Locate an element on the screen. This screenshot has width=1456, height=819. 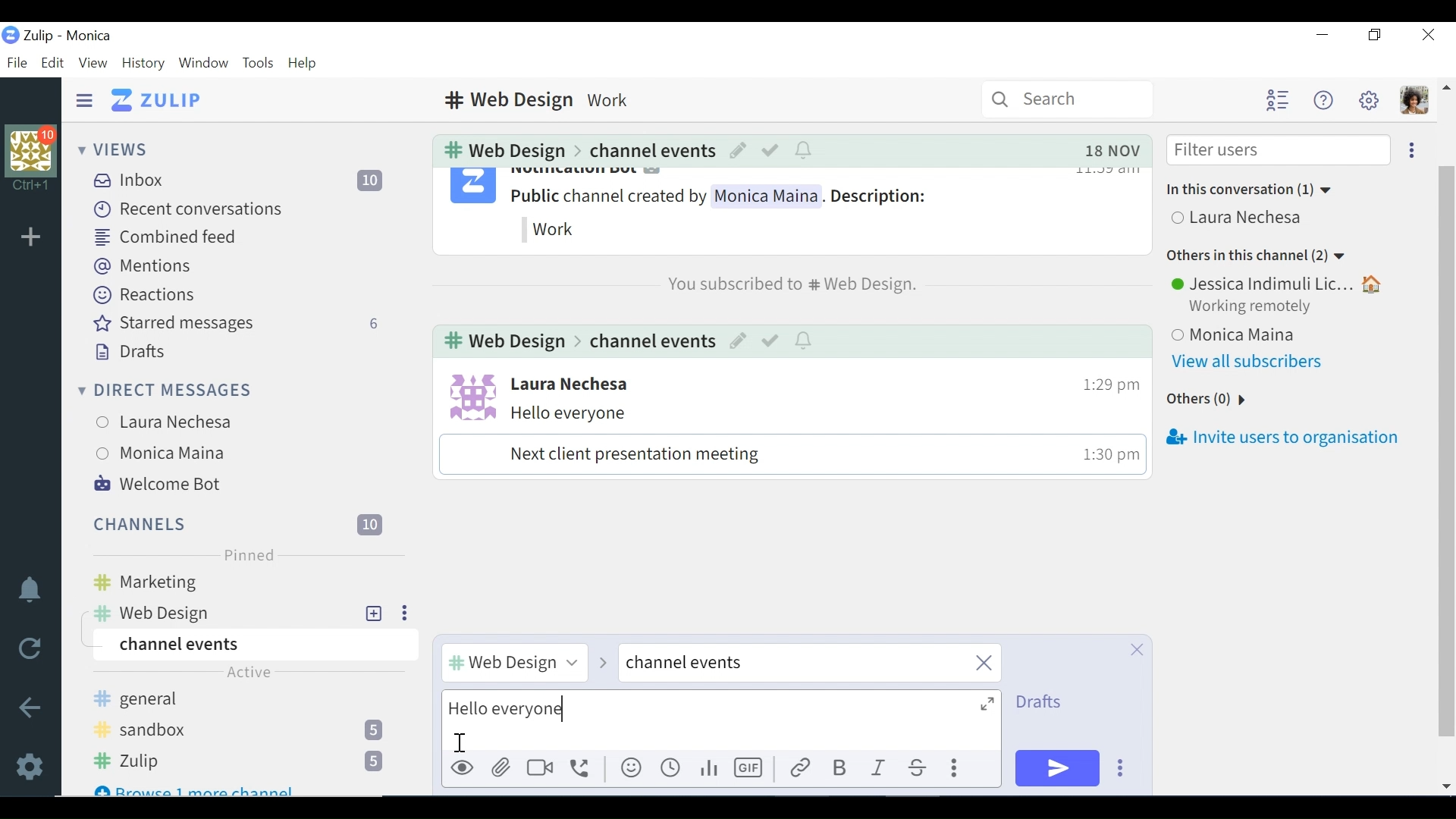
mark as resolved is located at coordinates (771, 342).